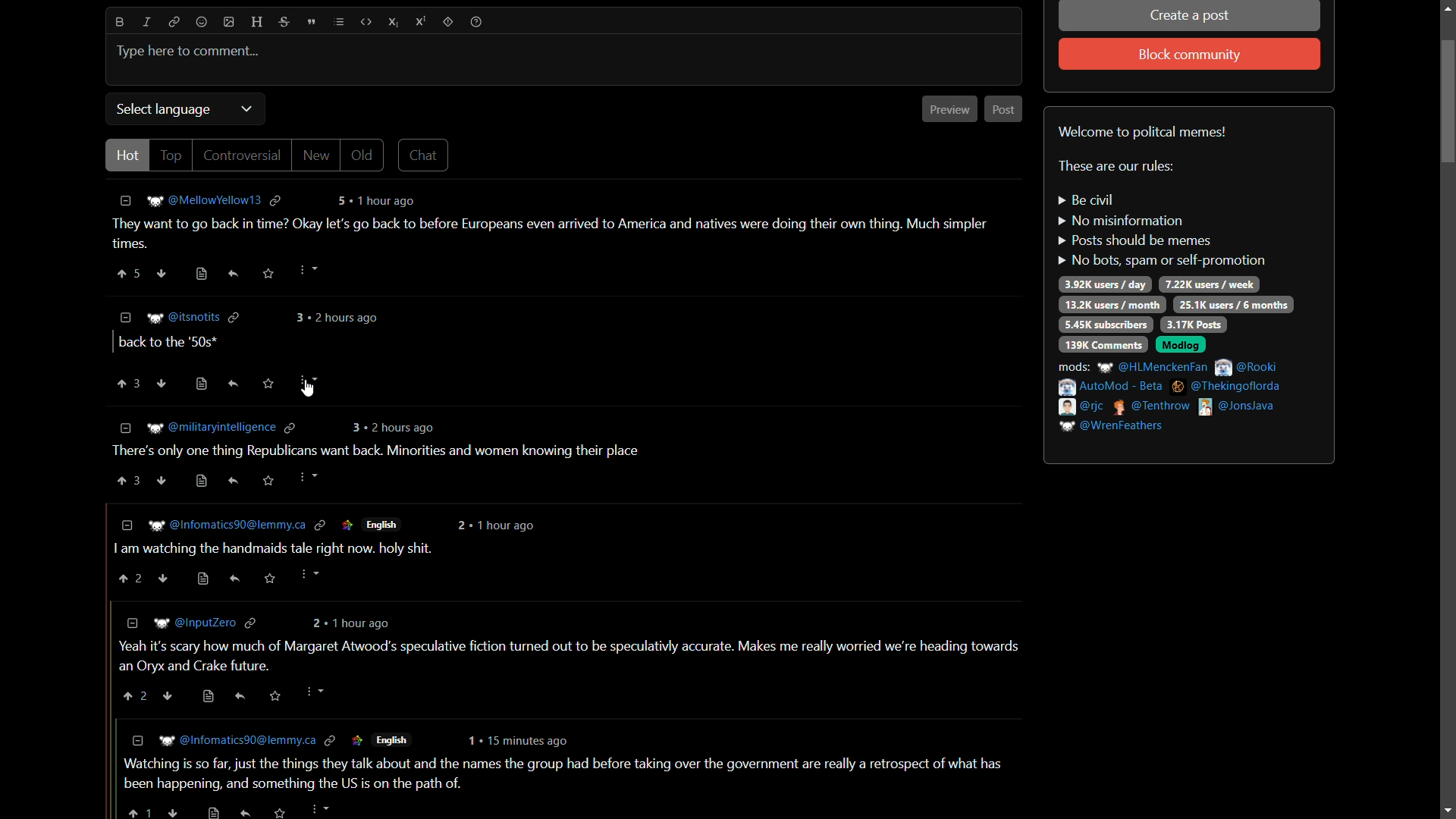 This screenshot has height=819, width=1456. What do you see at coordinates (148, 22) in the screenshot?
I see `italic` at bounding box center [148, 22].